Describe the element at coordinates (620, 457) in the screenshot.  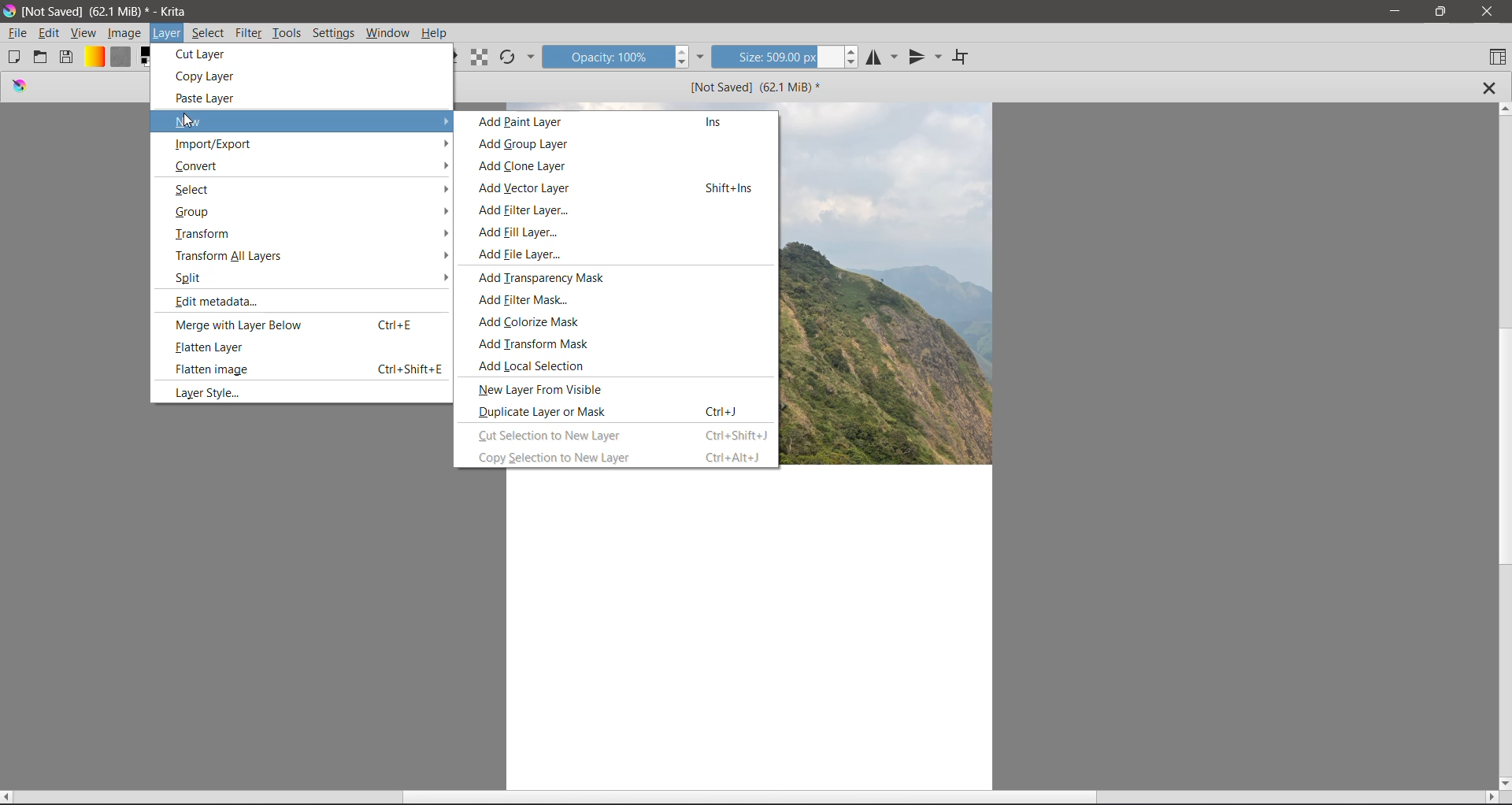
I see `Copy Selection to New Layer` at that location.